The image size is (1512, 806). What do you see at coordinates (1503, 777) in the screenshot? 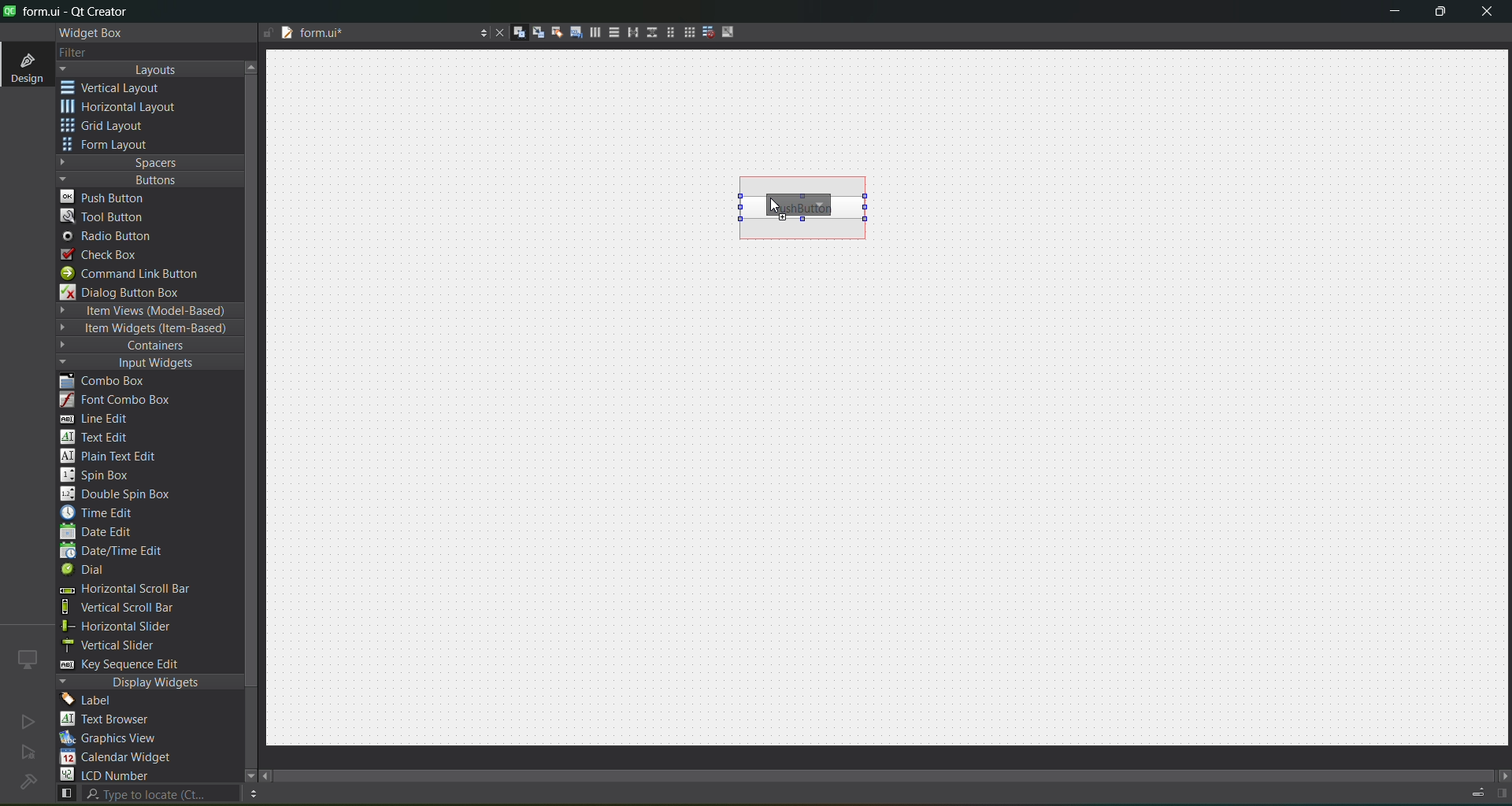
I see `move right` at bounding box center [1503, 777].